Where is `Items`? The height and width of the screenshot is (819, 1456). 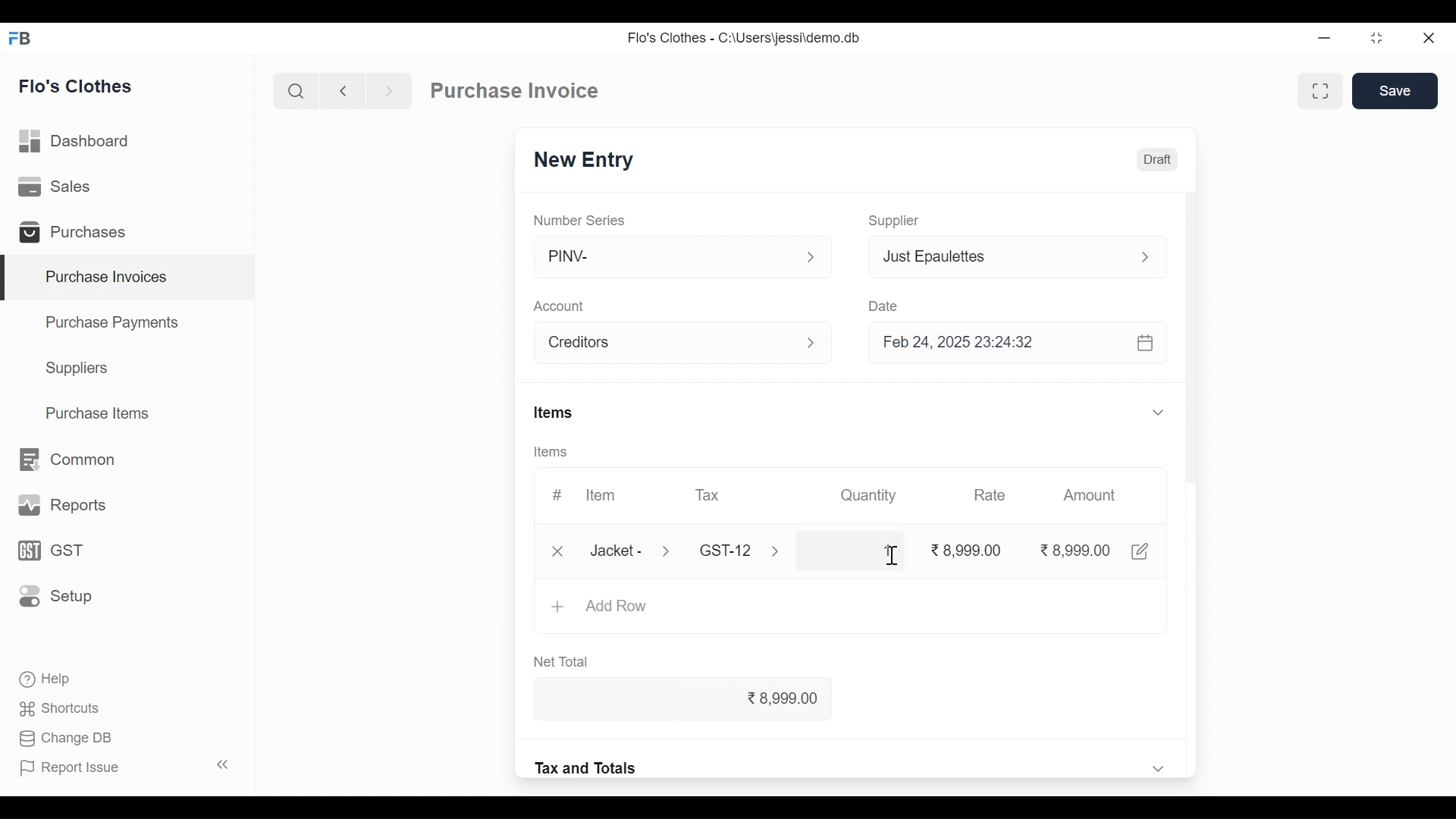 Items is located at coordinates (553, 412).